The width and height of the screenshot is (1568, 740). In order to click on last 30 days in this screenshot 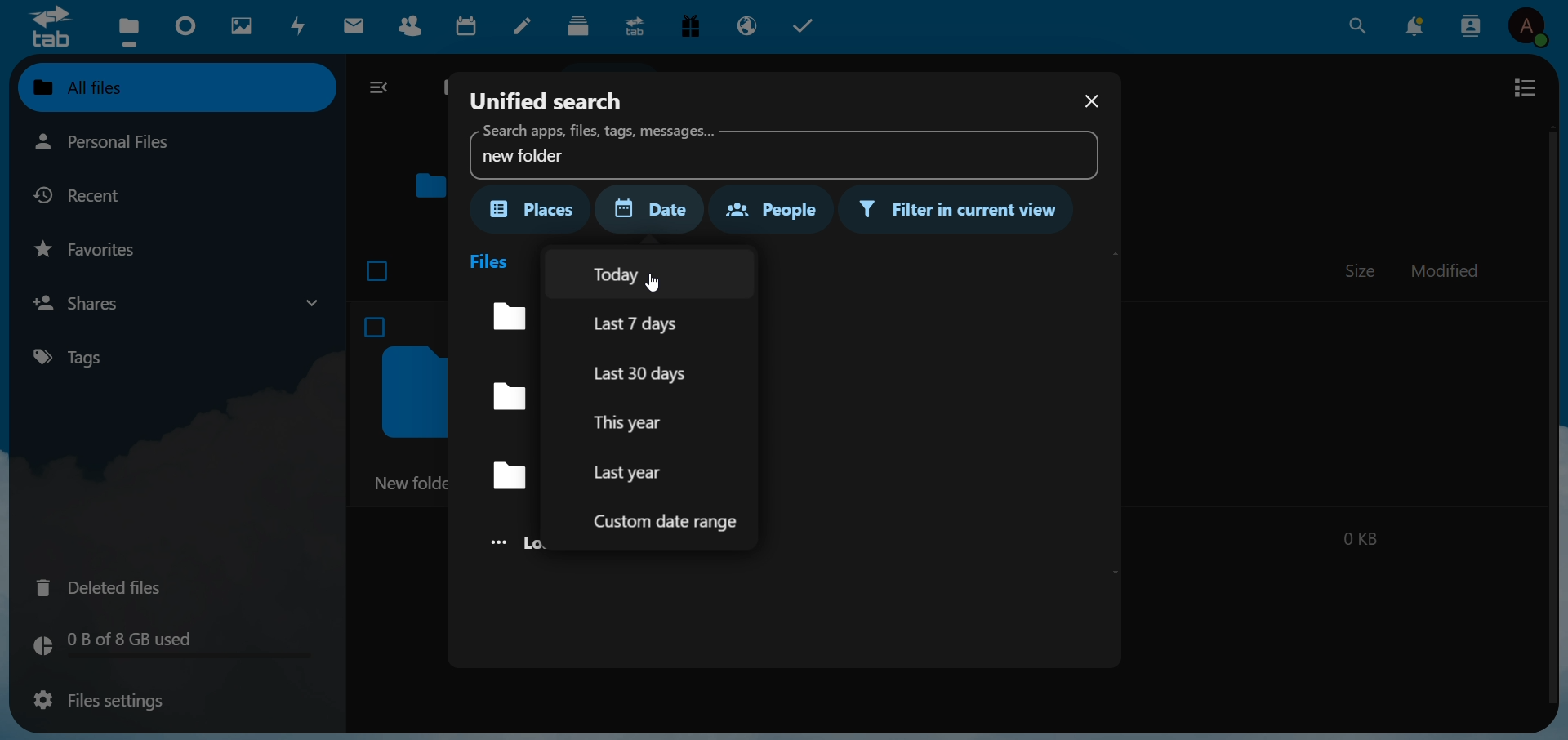, I will do `click(648, 371)`.